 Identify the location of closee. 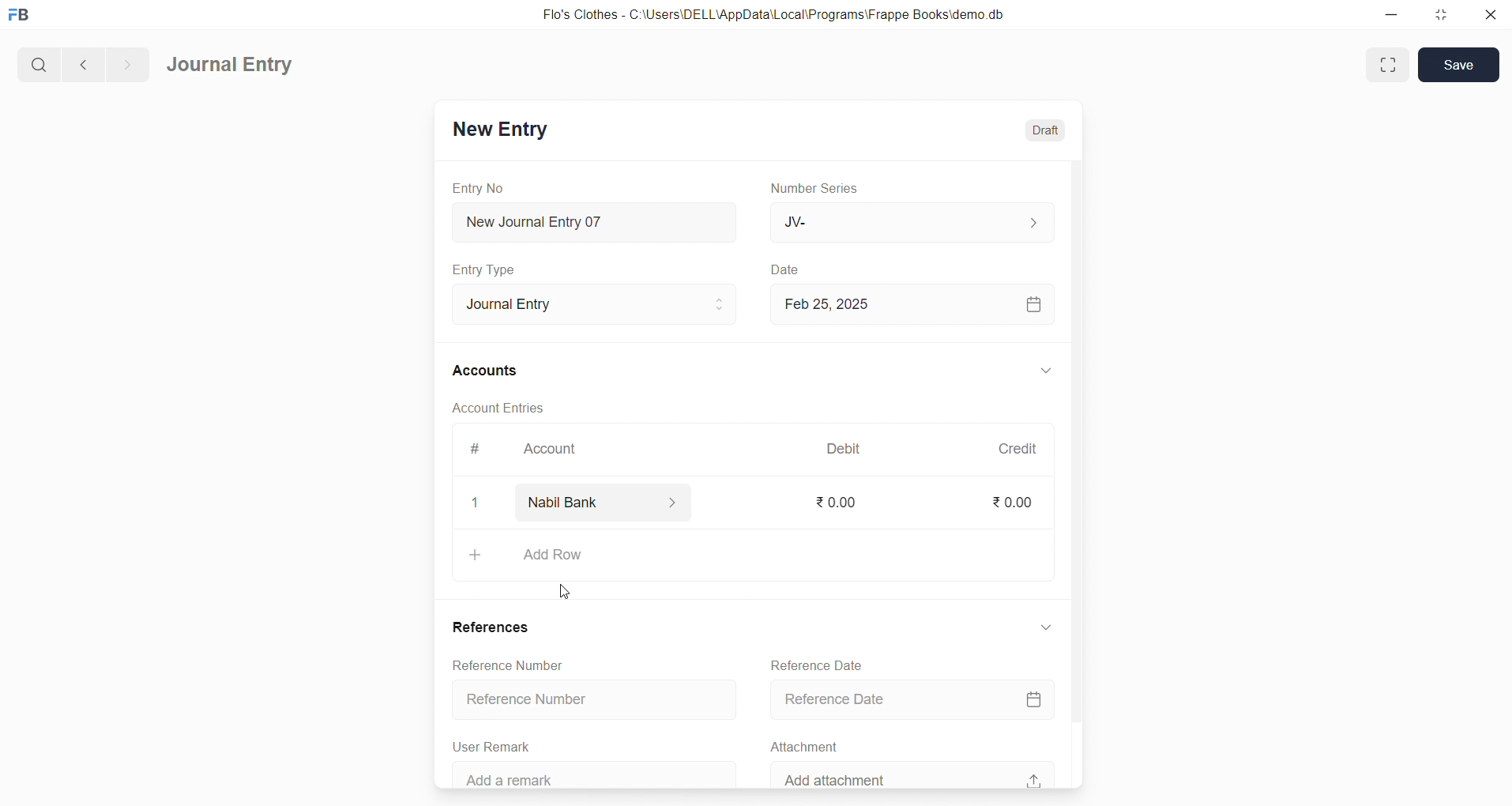
(476, 503).